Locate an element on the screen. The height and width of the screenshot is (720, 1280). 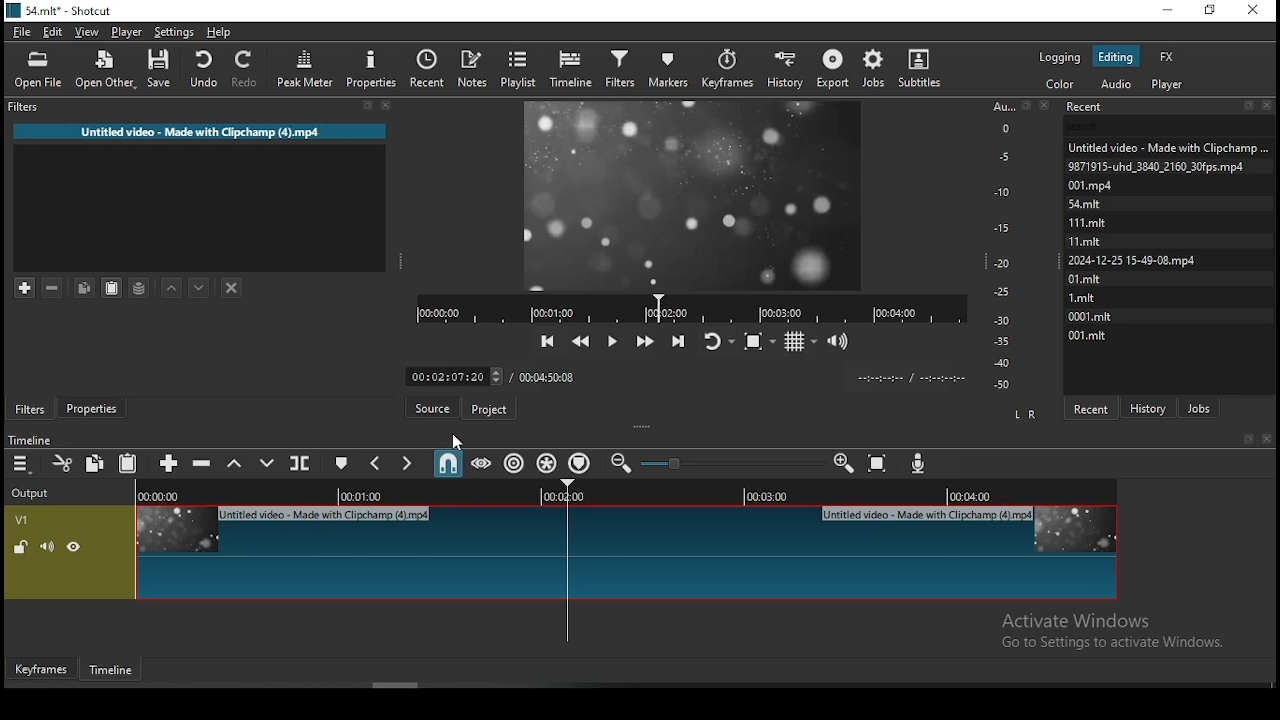
jobs is located at coordinates (1199, 408).